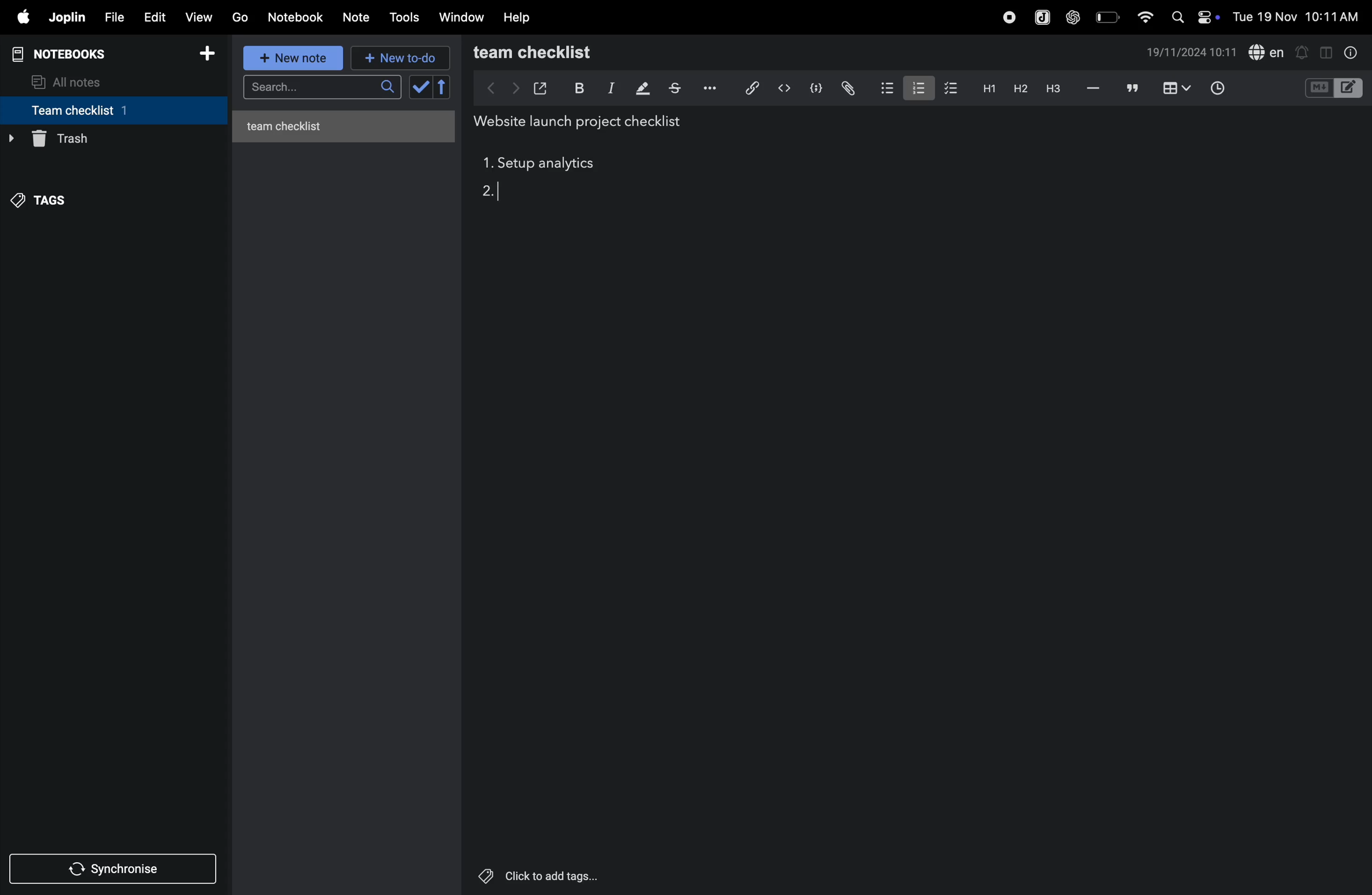 Image resolution: width=1372 pixels, height=895 pixels. I want to click on options, so click(708, 88).